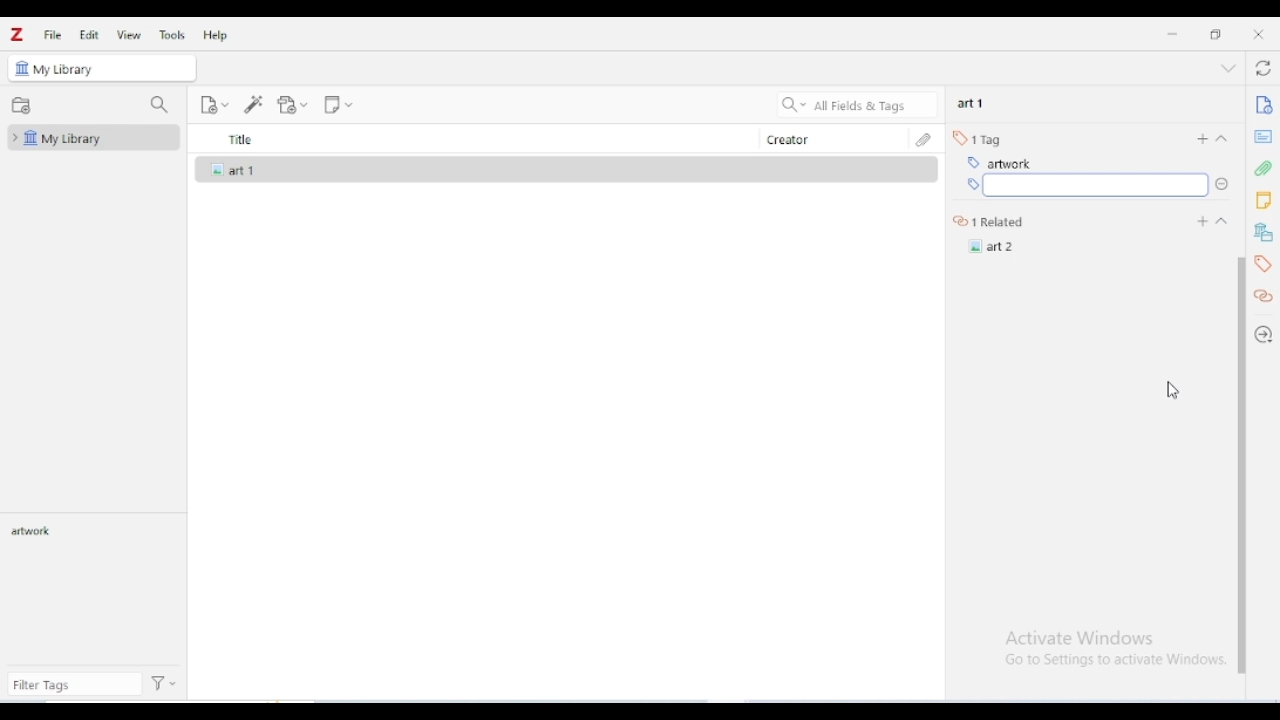 The width and height of the screenshot is (1280, 720). Describe the element at coordinates (1198, 143) in the screenshot. I see `add` at that location.